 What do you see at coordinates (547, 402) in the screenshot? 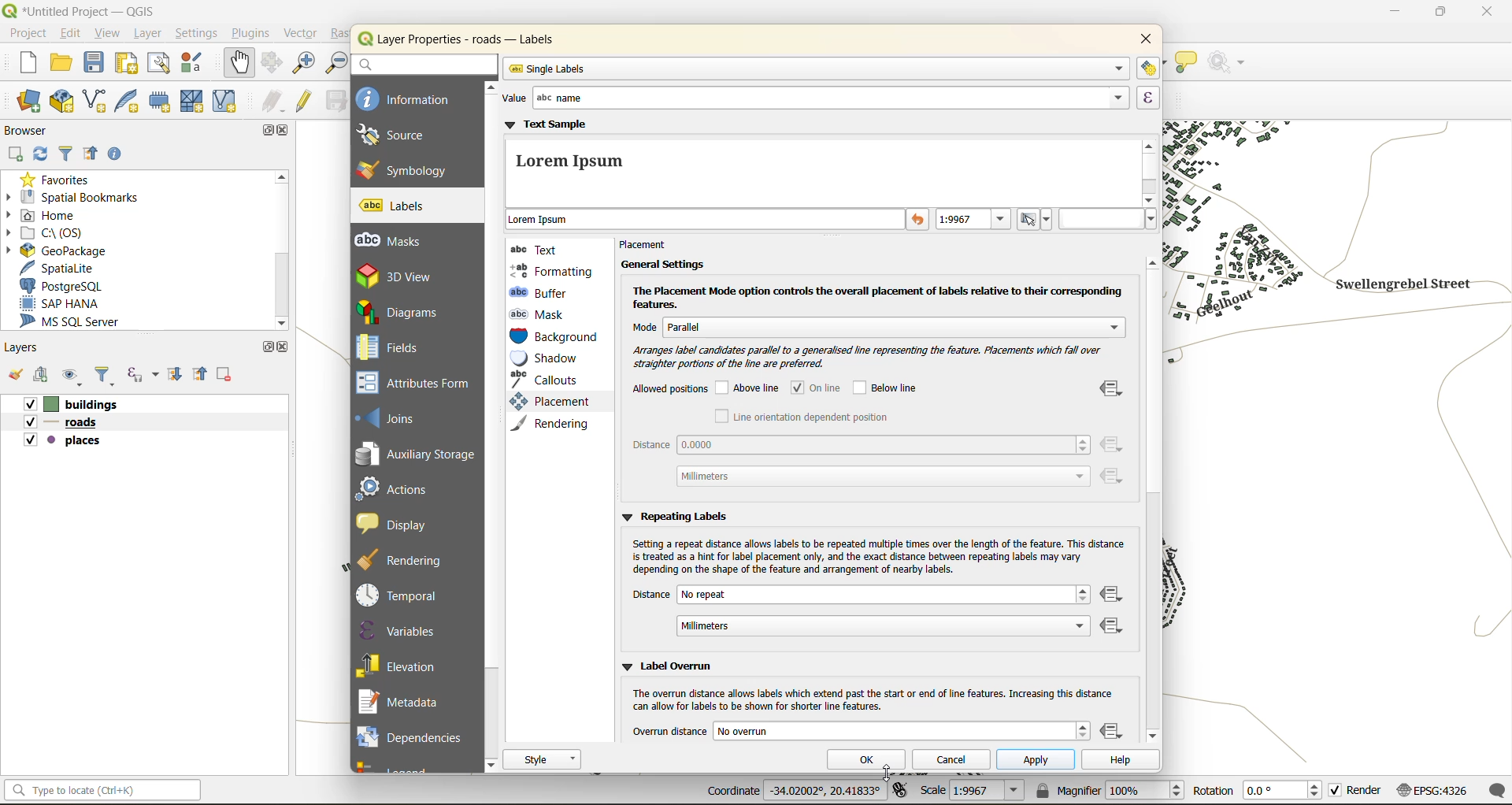
I see `placement` at bounding box center [547, 402].